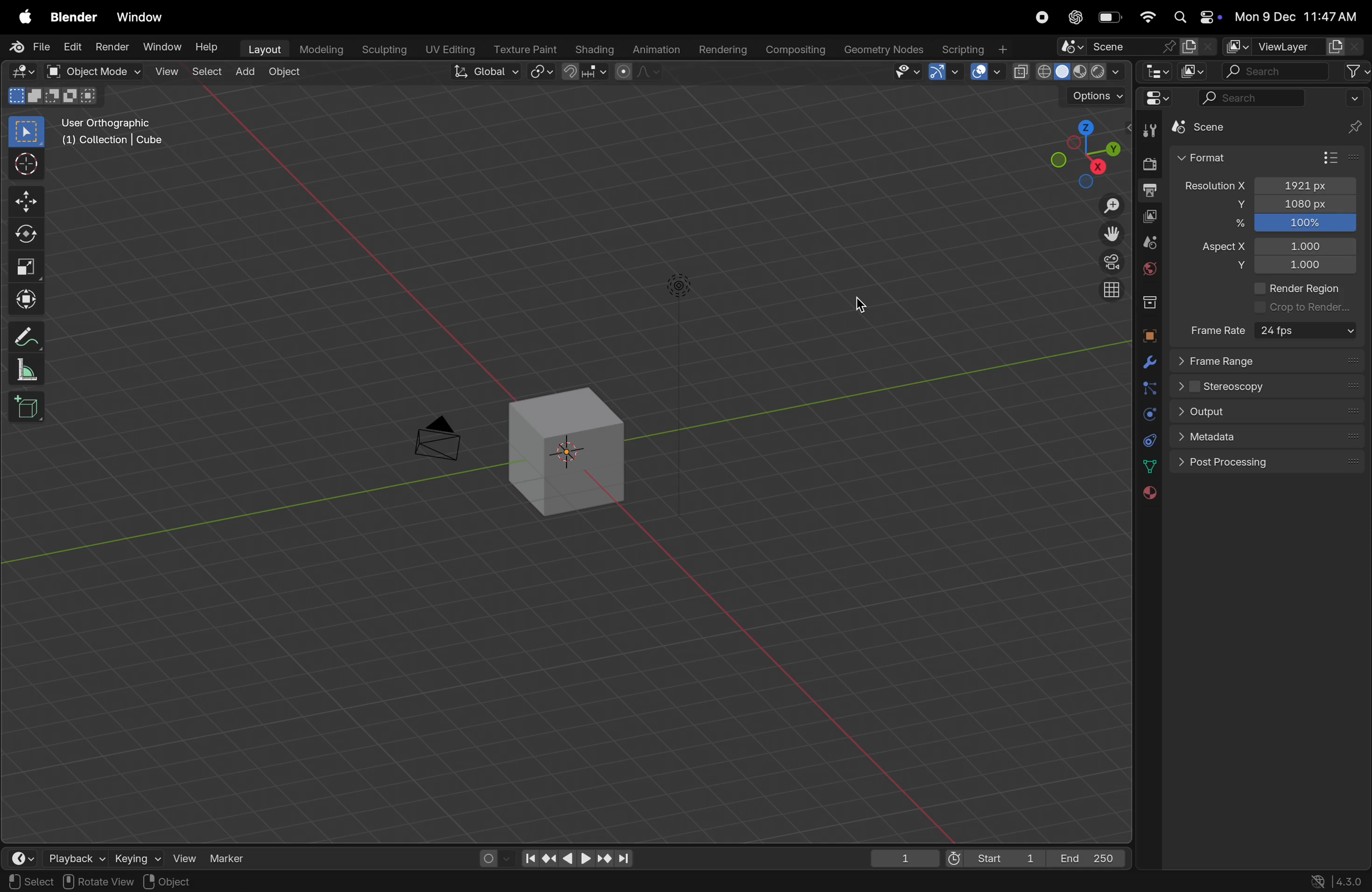 This screenshot has height=892, width=1372. I want to click on Window, so click(161, 47).